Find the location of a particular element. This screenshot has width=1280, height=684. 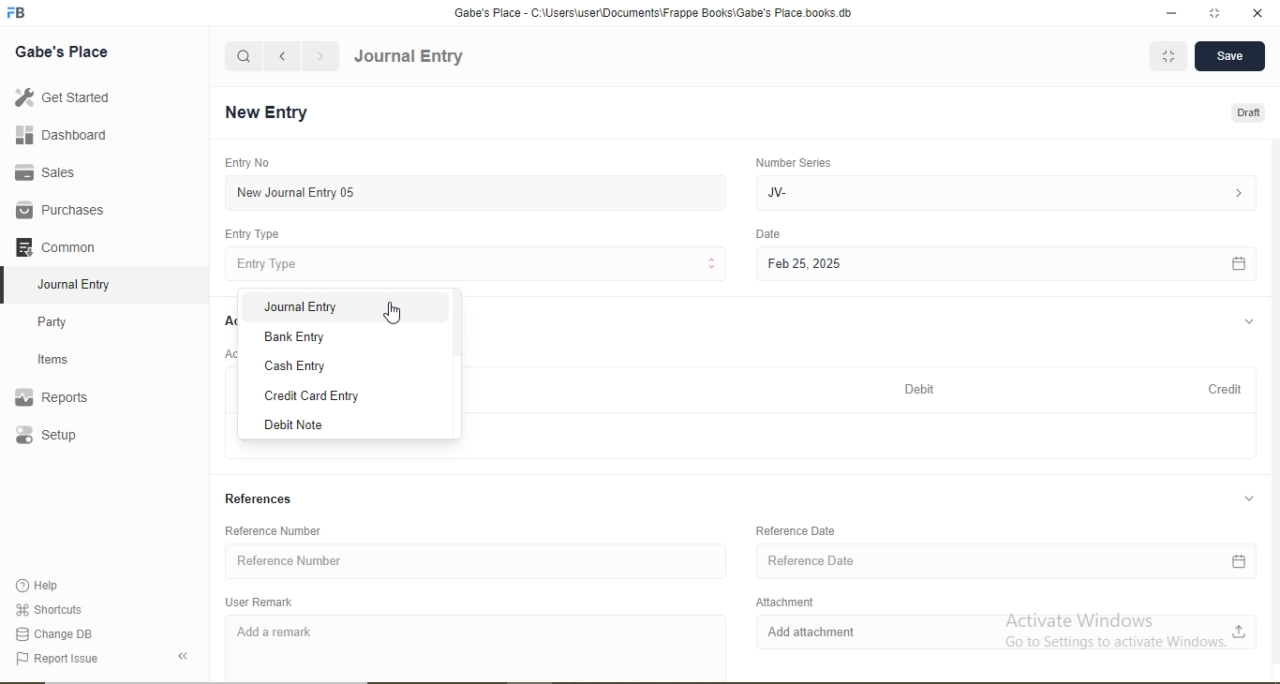

cursor is located at coordinates (394, 311).